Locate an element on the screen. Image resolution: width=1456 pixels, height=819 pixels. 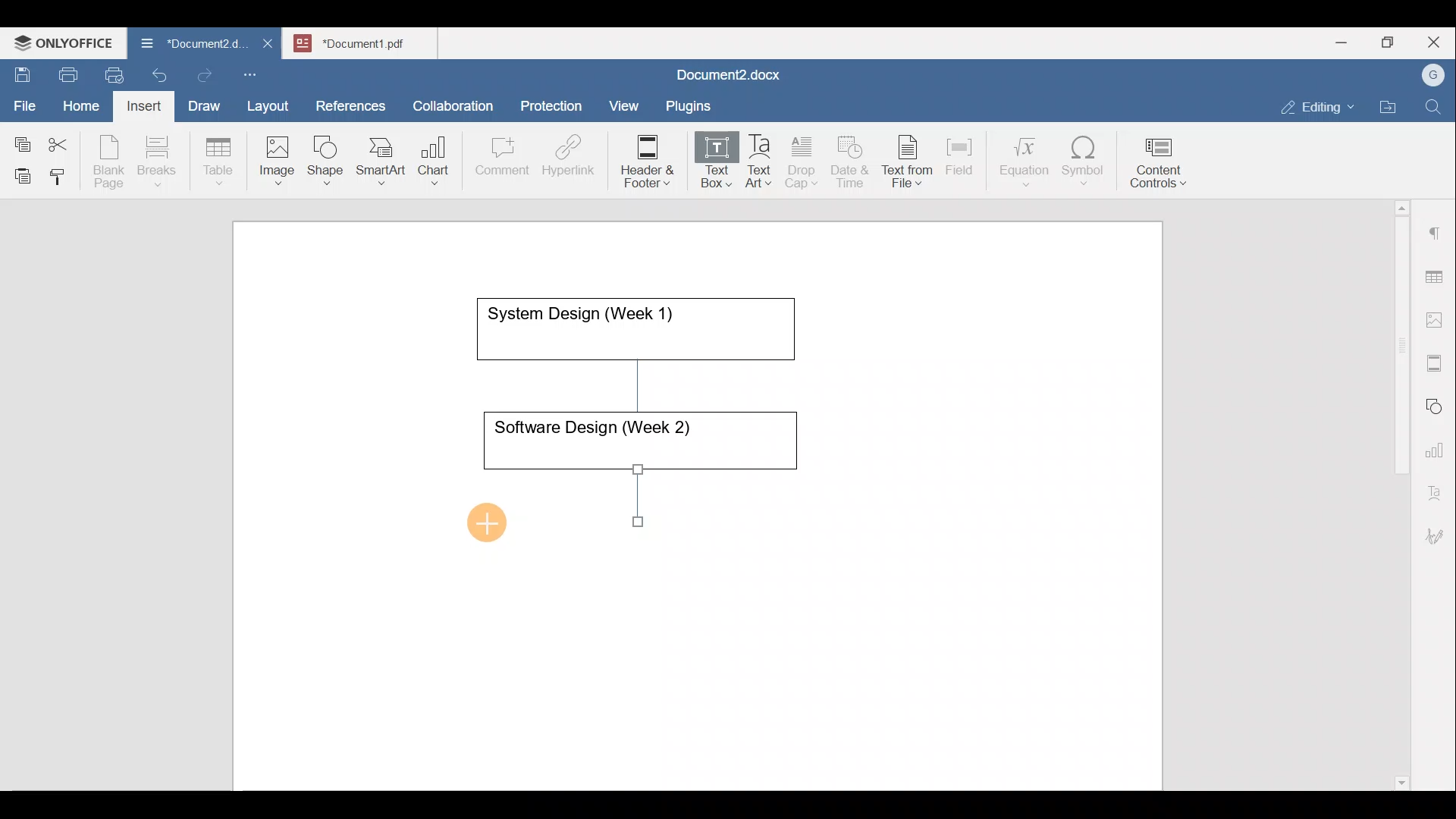
Header & footer is located at coordinates (642, 160).